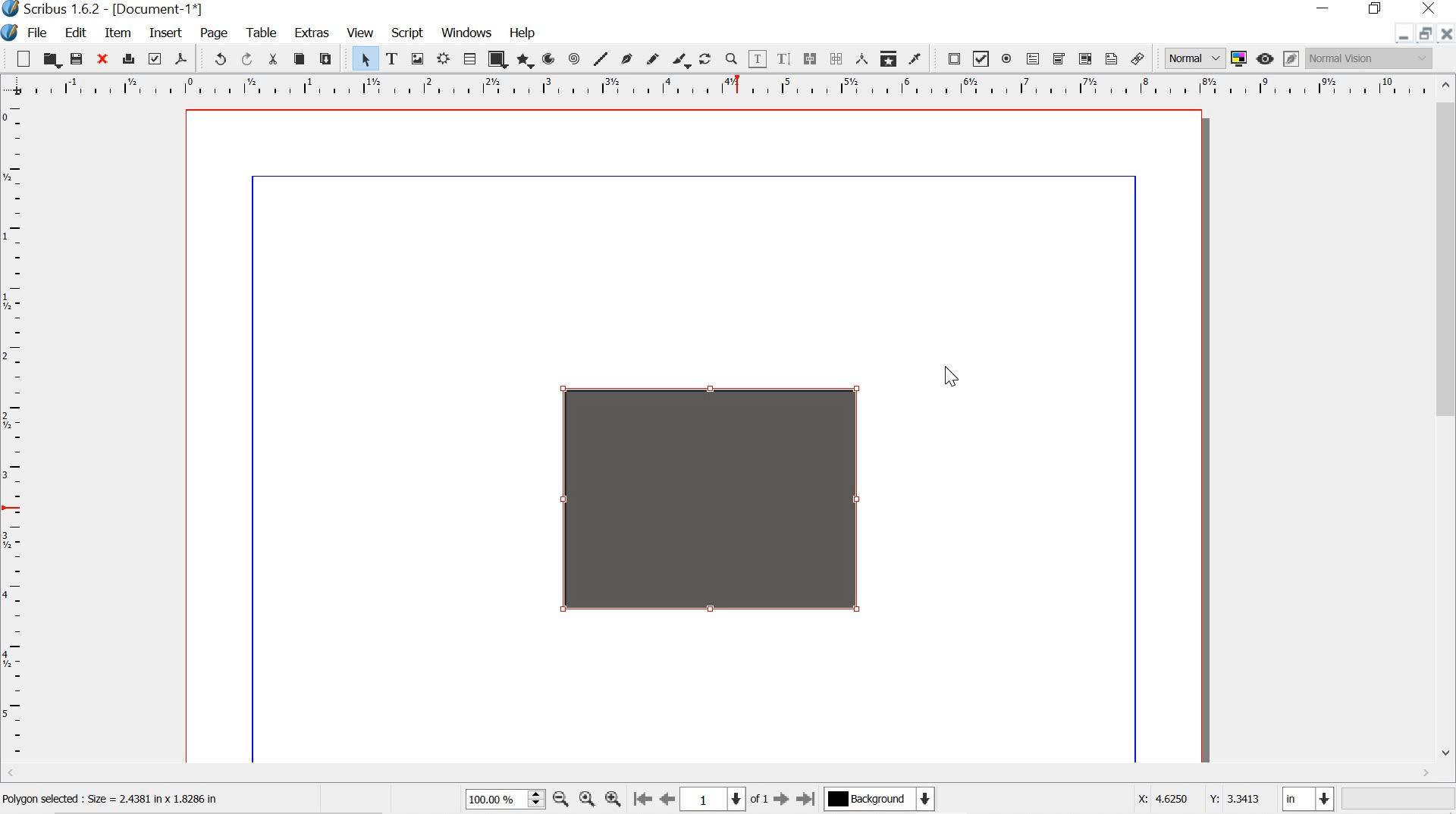 Image resolution: width=1456 pixels, height=814 pixels. Describe the element at coordinates (1112, 59) in the screenshot. I see `text annotation` at that location.